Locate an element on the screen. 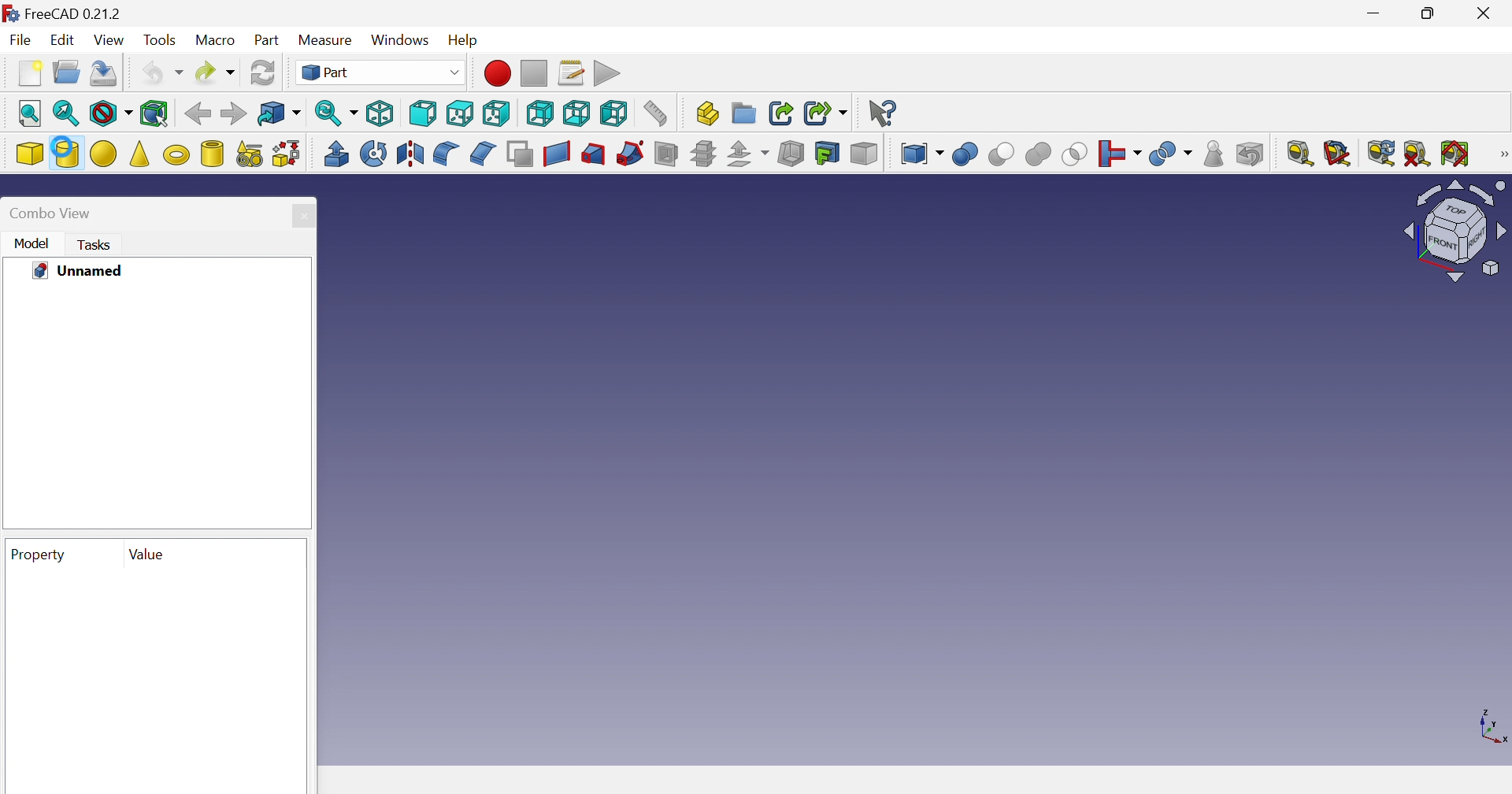 The width and height of the screenshot is (1512, 794). Create group is located at coordinates (744, 113).